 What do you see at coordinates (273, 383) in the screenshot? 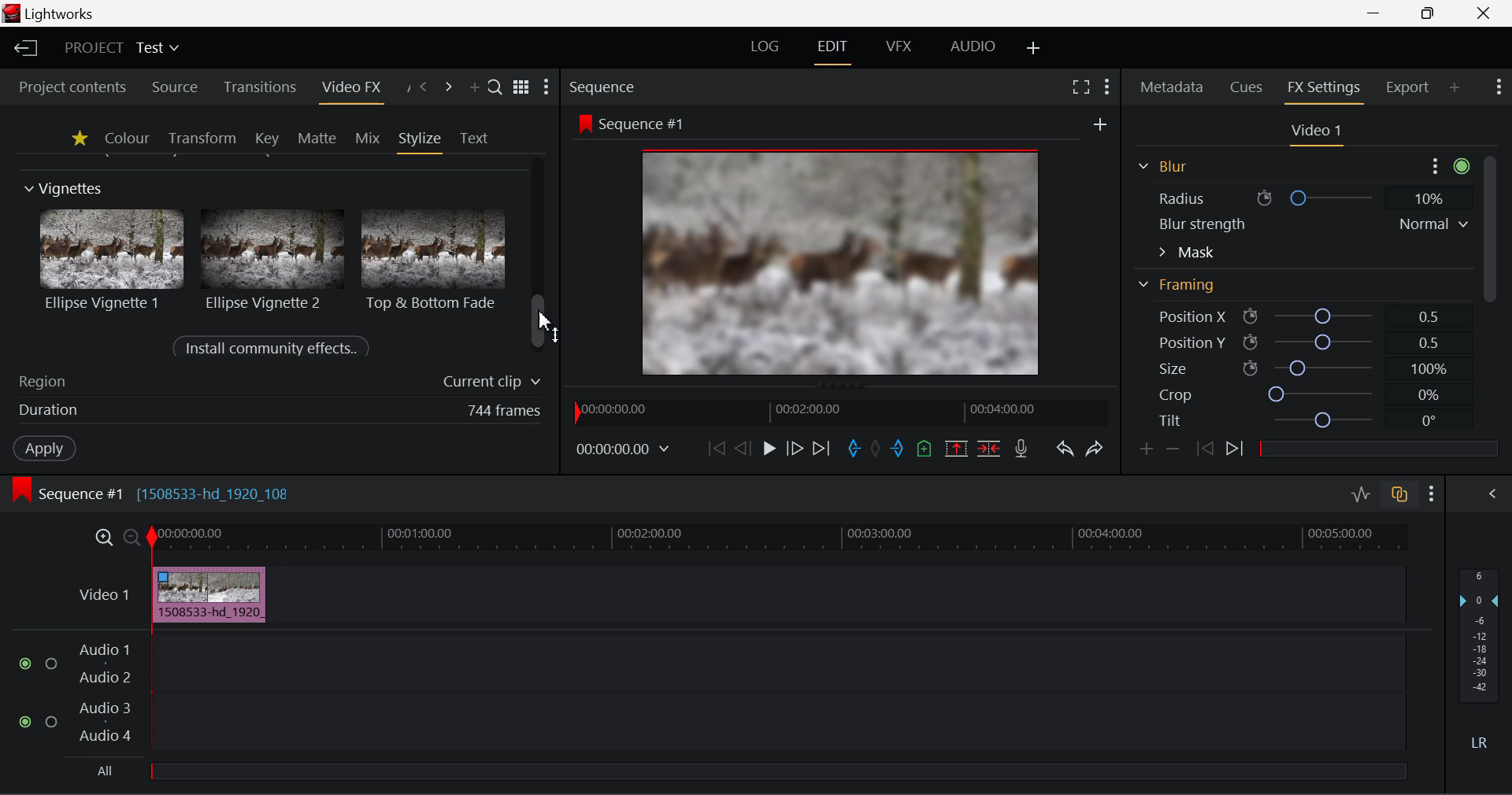
I see `Region of Effect` at bounding box center [273, 383].